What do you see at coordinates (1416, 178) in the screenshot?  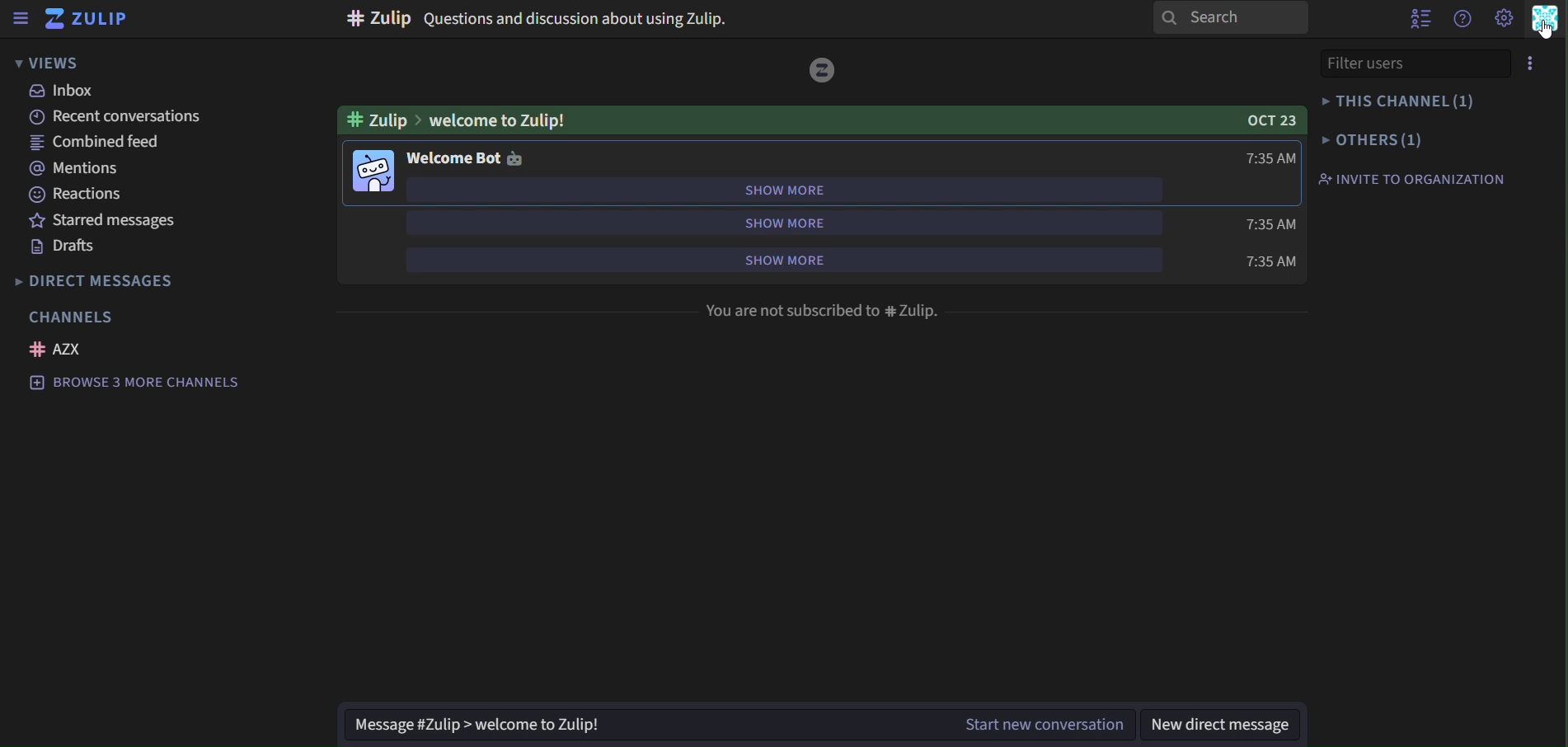 I see `invite to organization` at bounding box center [1416, 178].